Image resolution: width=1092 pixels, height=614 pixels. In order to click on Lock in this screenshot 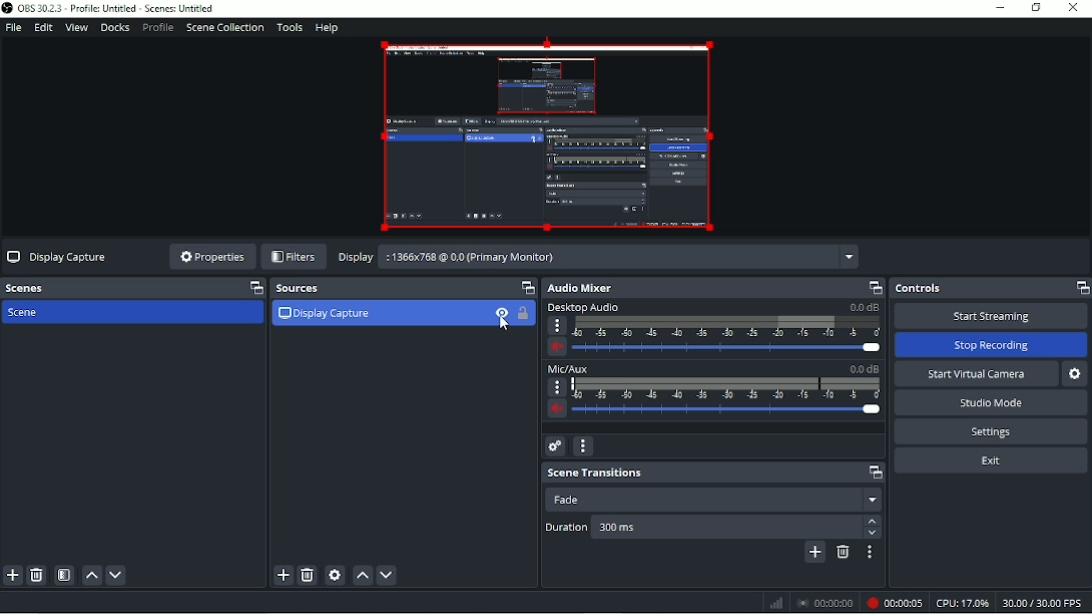, I will do `click(523, 314)`.